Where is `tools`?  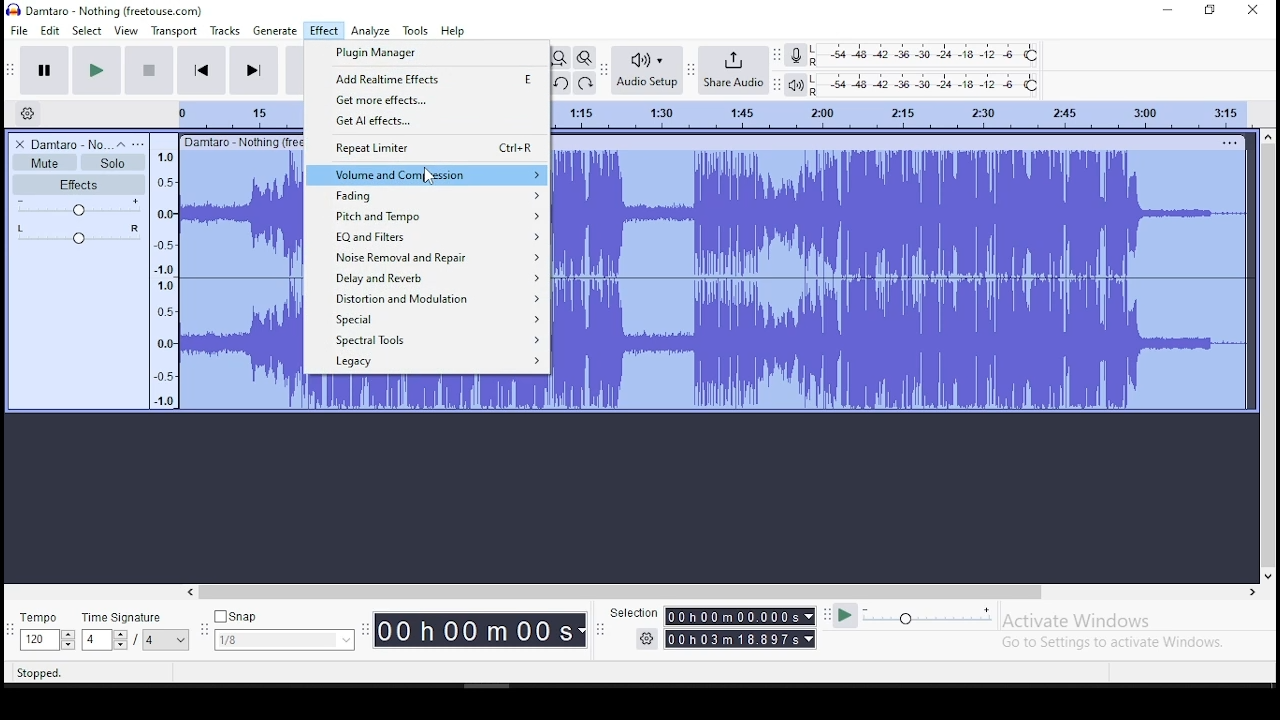
tools is located at coordinates (416, 30).